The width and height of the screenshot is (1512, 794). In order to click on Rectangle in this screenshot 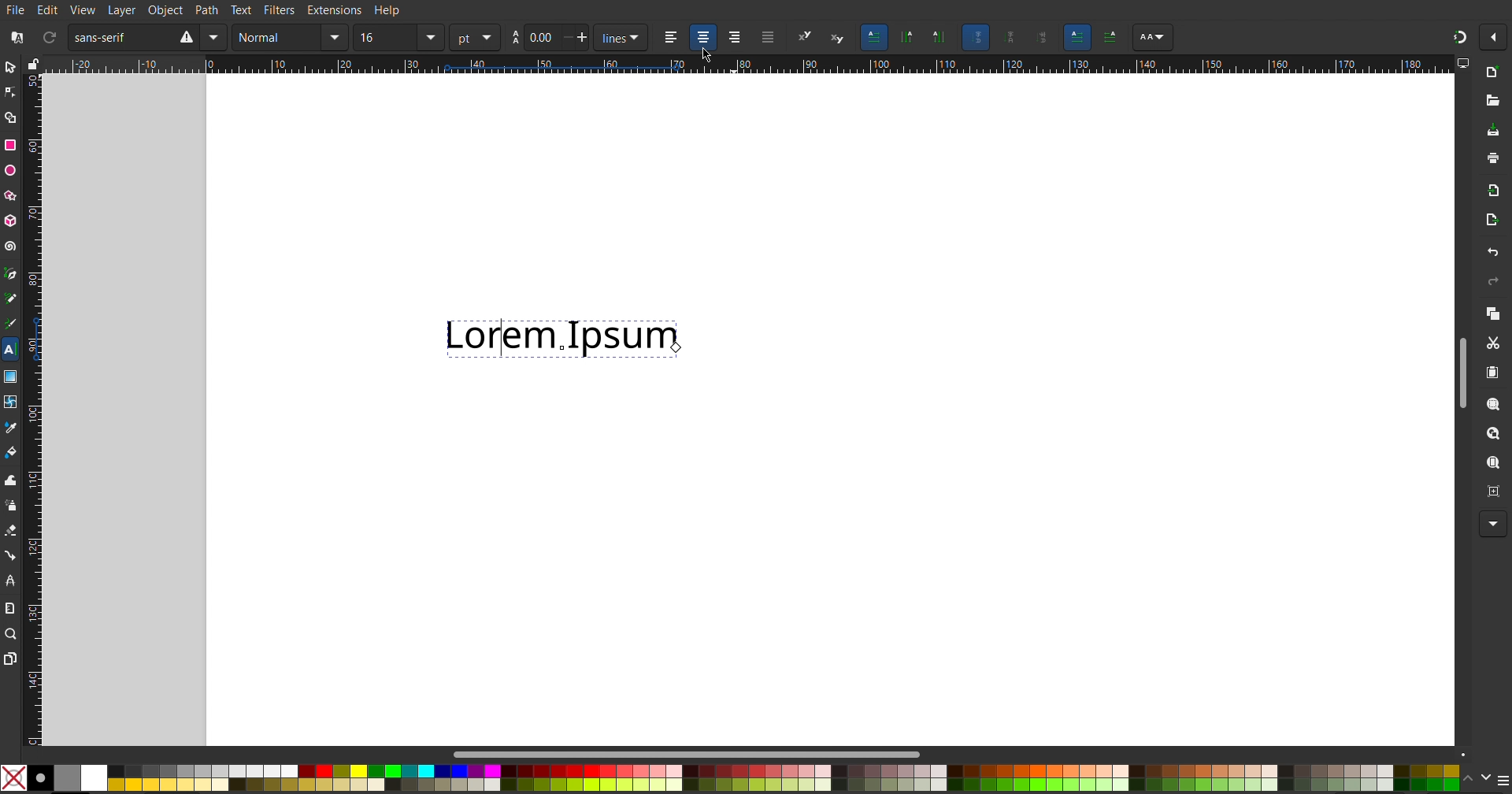, I will do `click(10, 144)`.